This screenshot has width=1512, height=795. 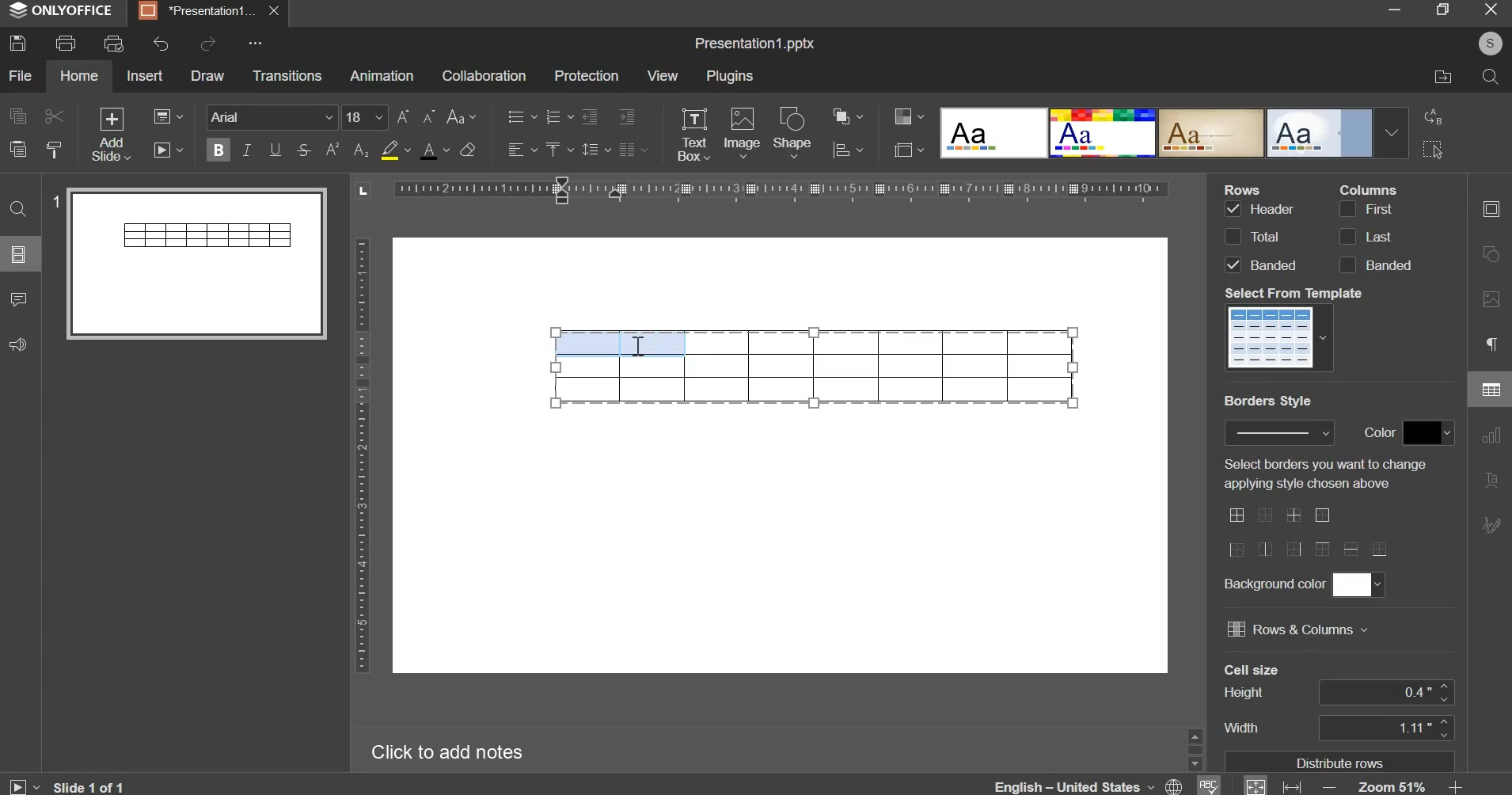 I want to click on Slide 1 of 1, so click(x=66, y=786).